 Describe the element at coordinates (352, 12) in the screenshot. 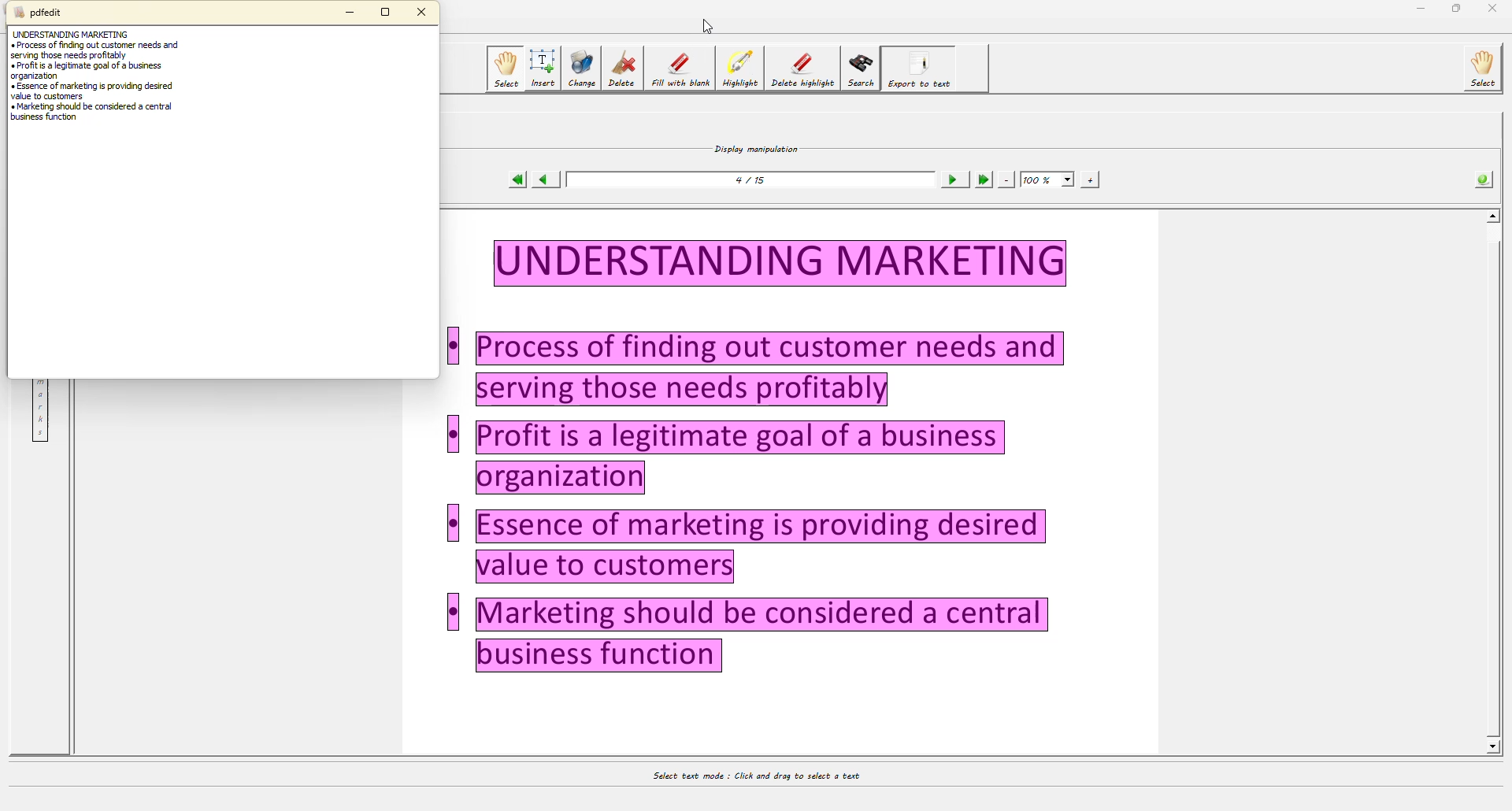

I see `minimize` at that location.